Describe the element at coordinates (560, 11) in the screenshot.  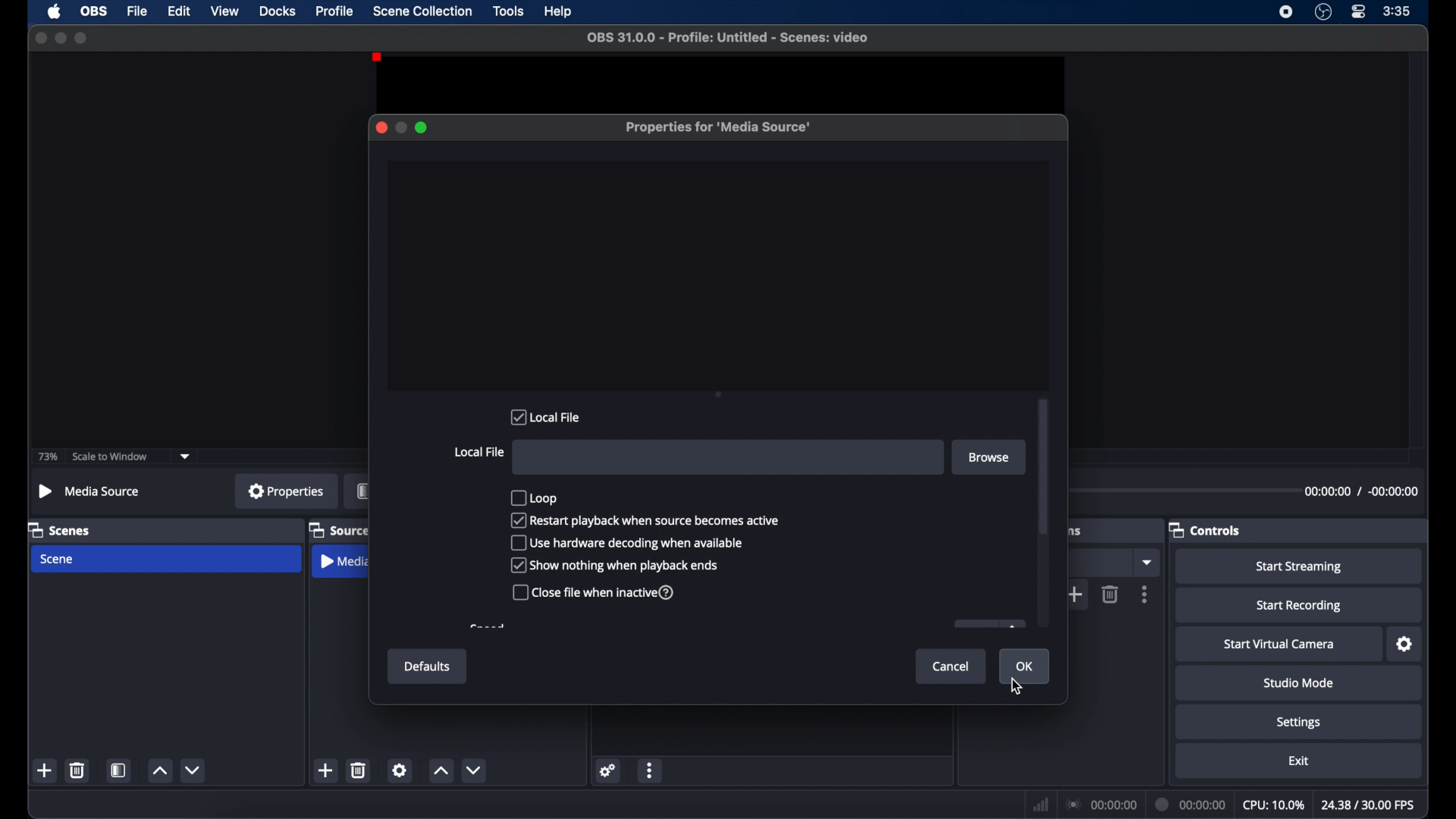
I see `help` at that location.